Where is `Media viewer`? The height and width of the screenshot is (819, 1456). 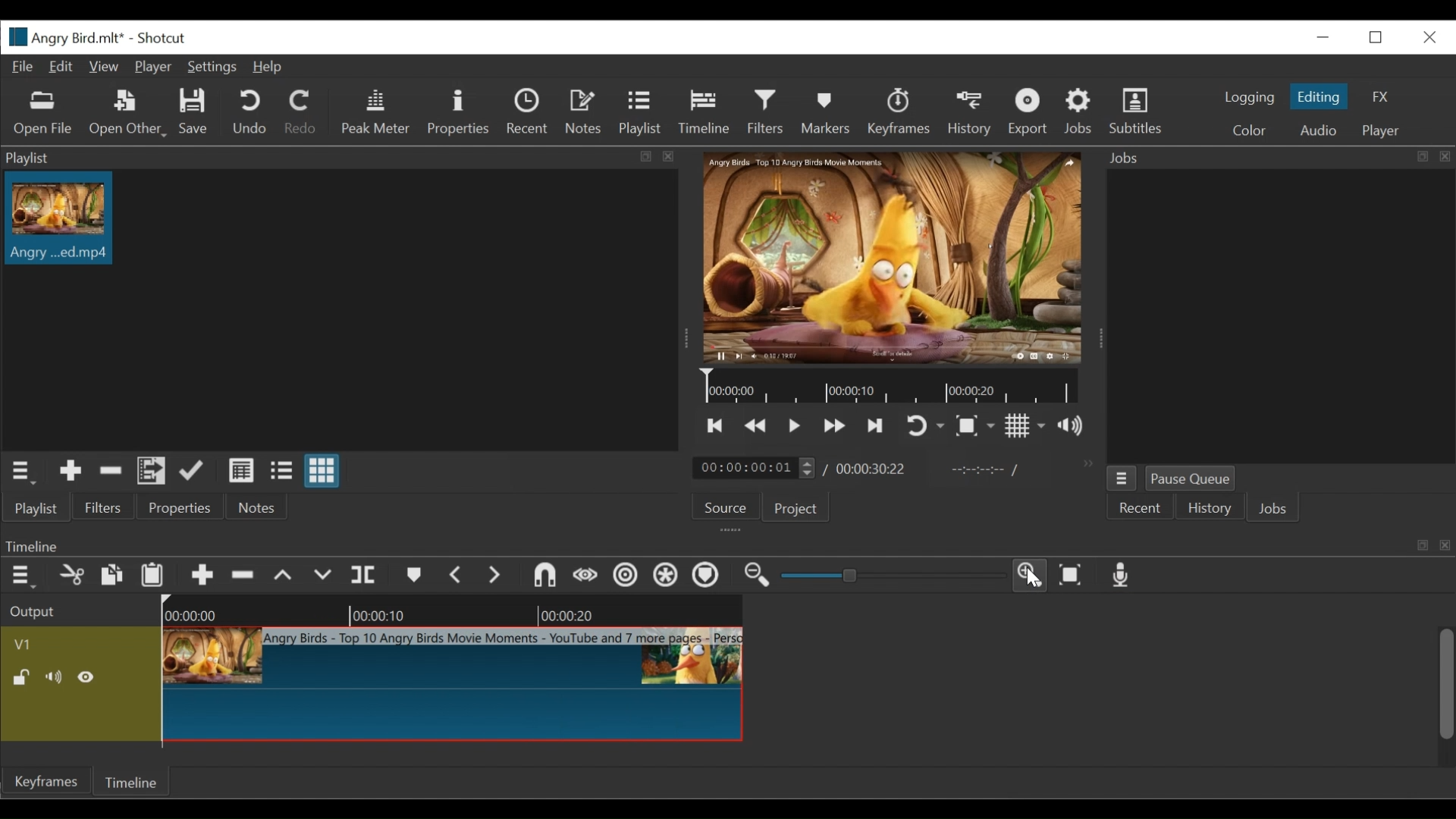 Media viewer is located at coordinates (893, 259).